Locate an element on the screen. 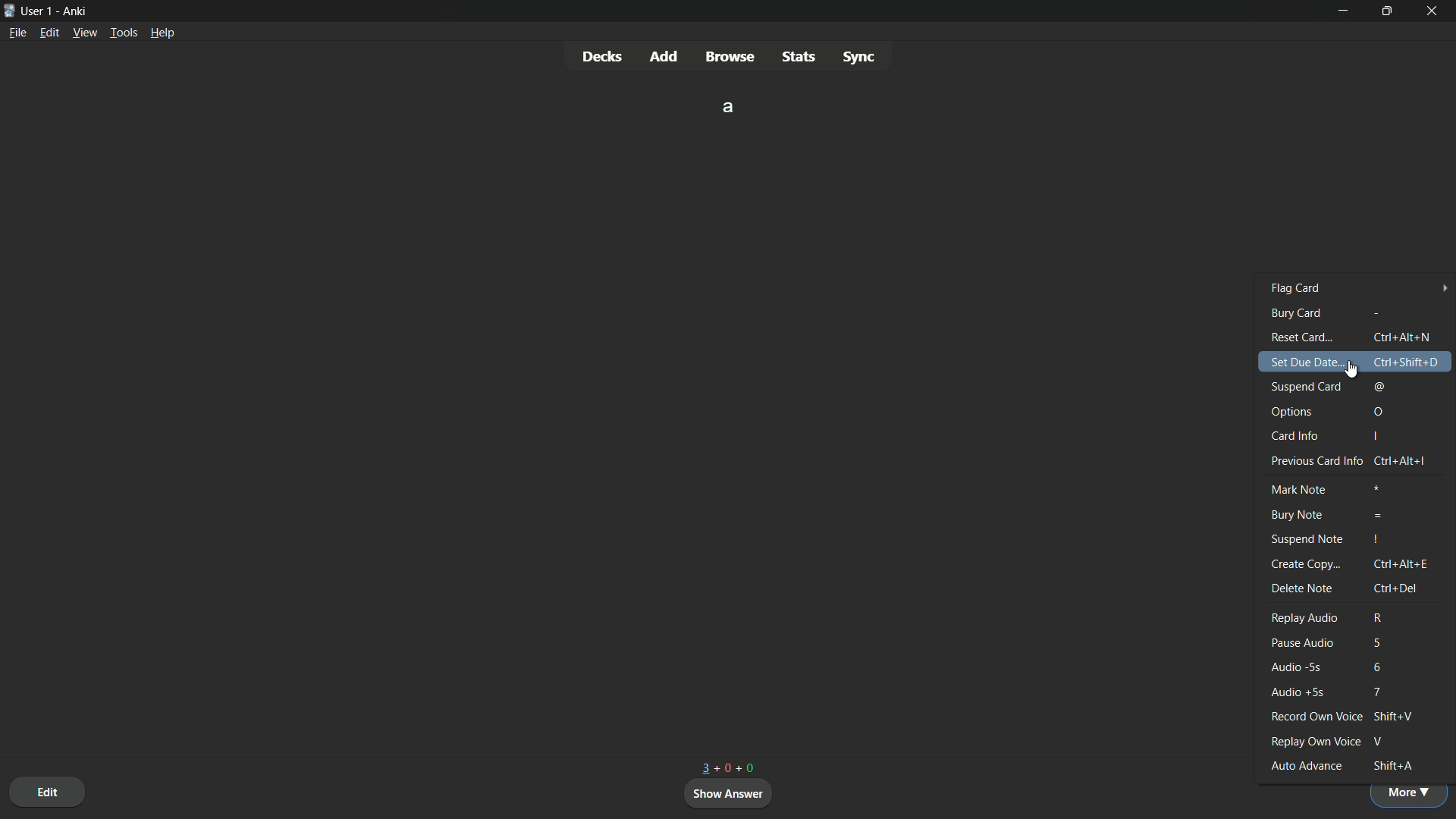 The height and width of the screenshot is (819, 1456). delete note is located at coordinates (1304, 588).